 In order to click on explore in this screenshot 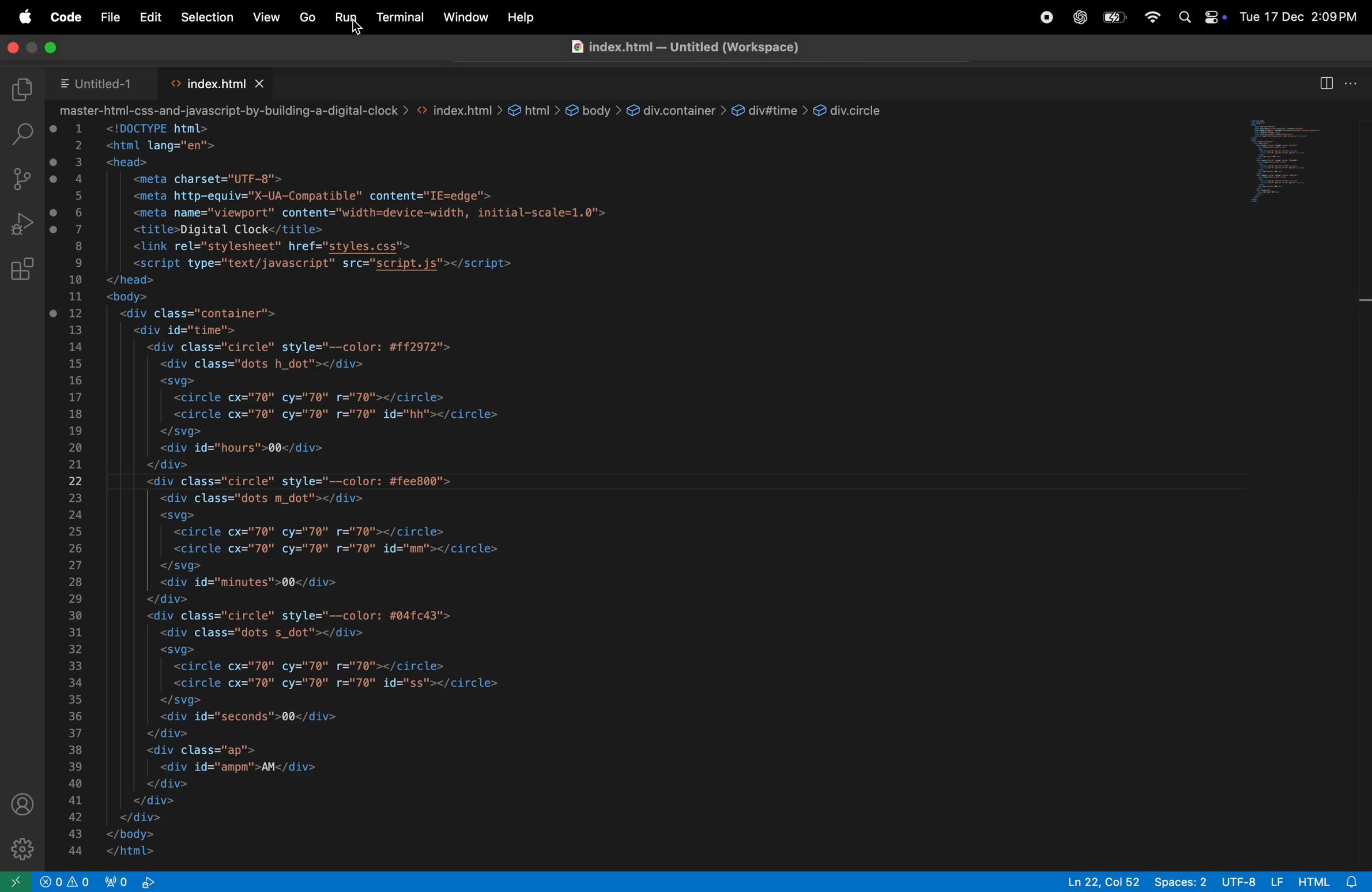, I will do `click(21, 90)`.